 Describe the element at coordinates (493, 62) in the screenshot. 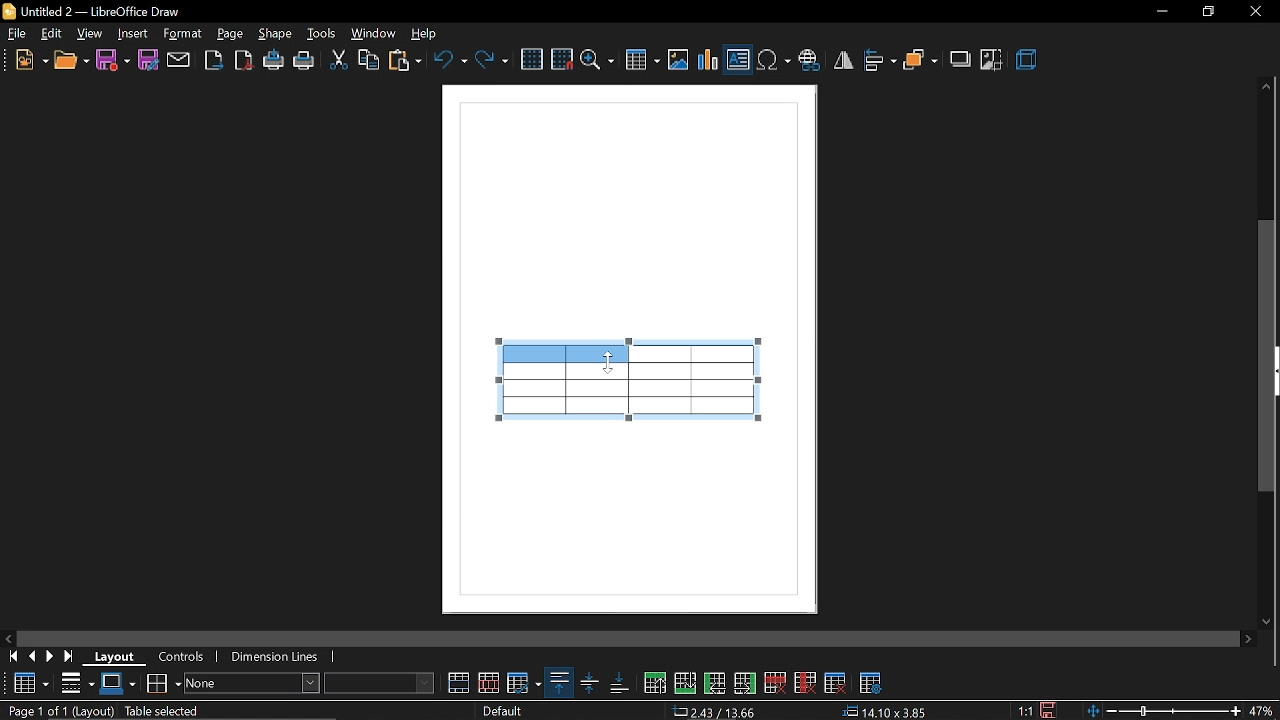

I see `redo` at that location.